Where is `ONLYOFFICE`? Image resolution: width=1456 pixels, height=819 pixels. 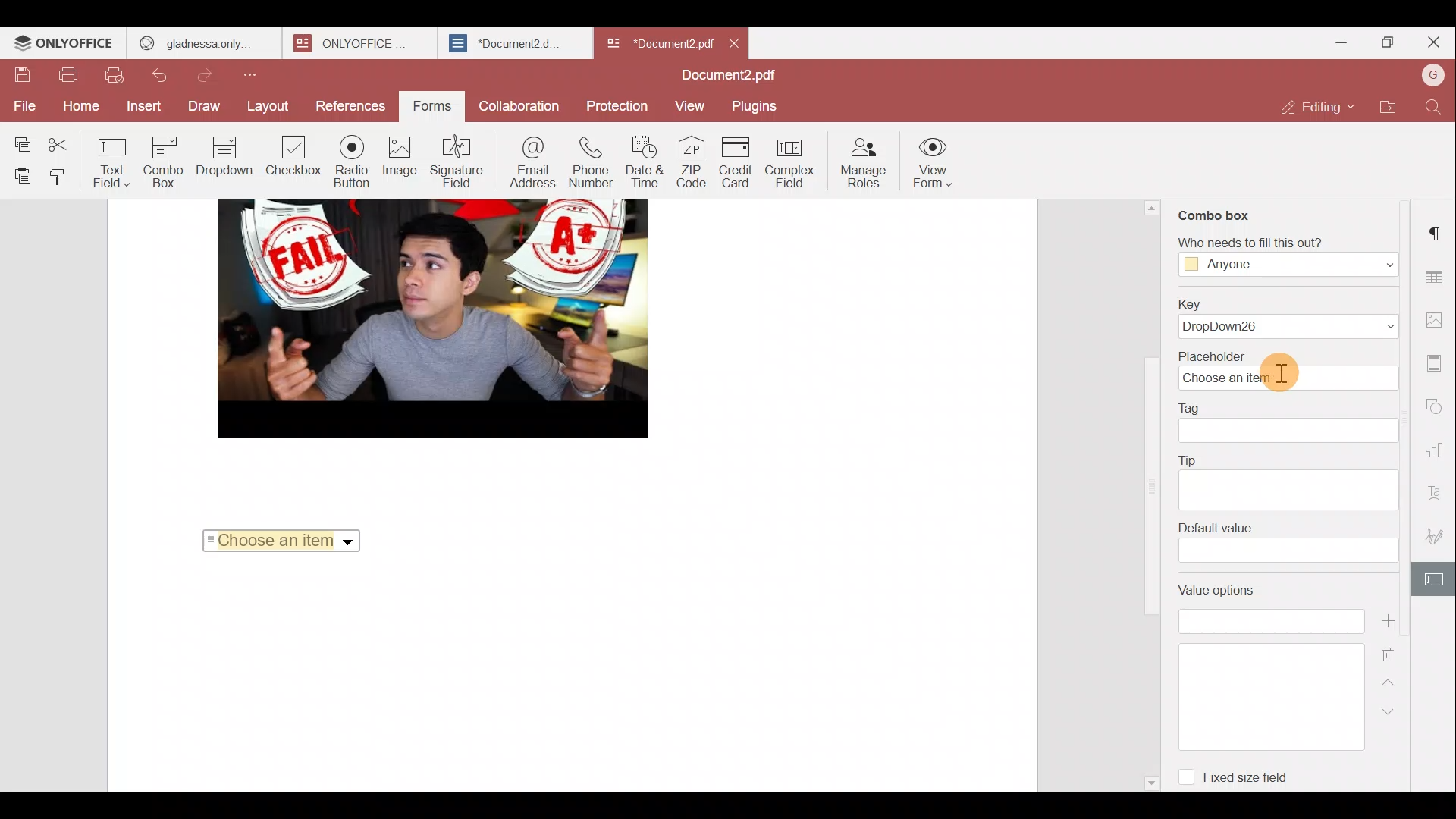
ONLYOFFICE is located at coordinates (350, 43).